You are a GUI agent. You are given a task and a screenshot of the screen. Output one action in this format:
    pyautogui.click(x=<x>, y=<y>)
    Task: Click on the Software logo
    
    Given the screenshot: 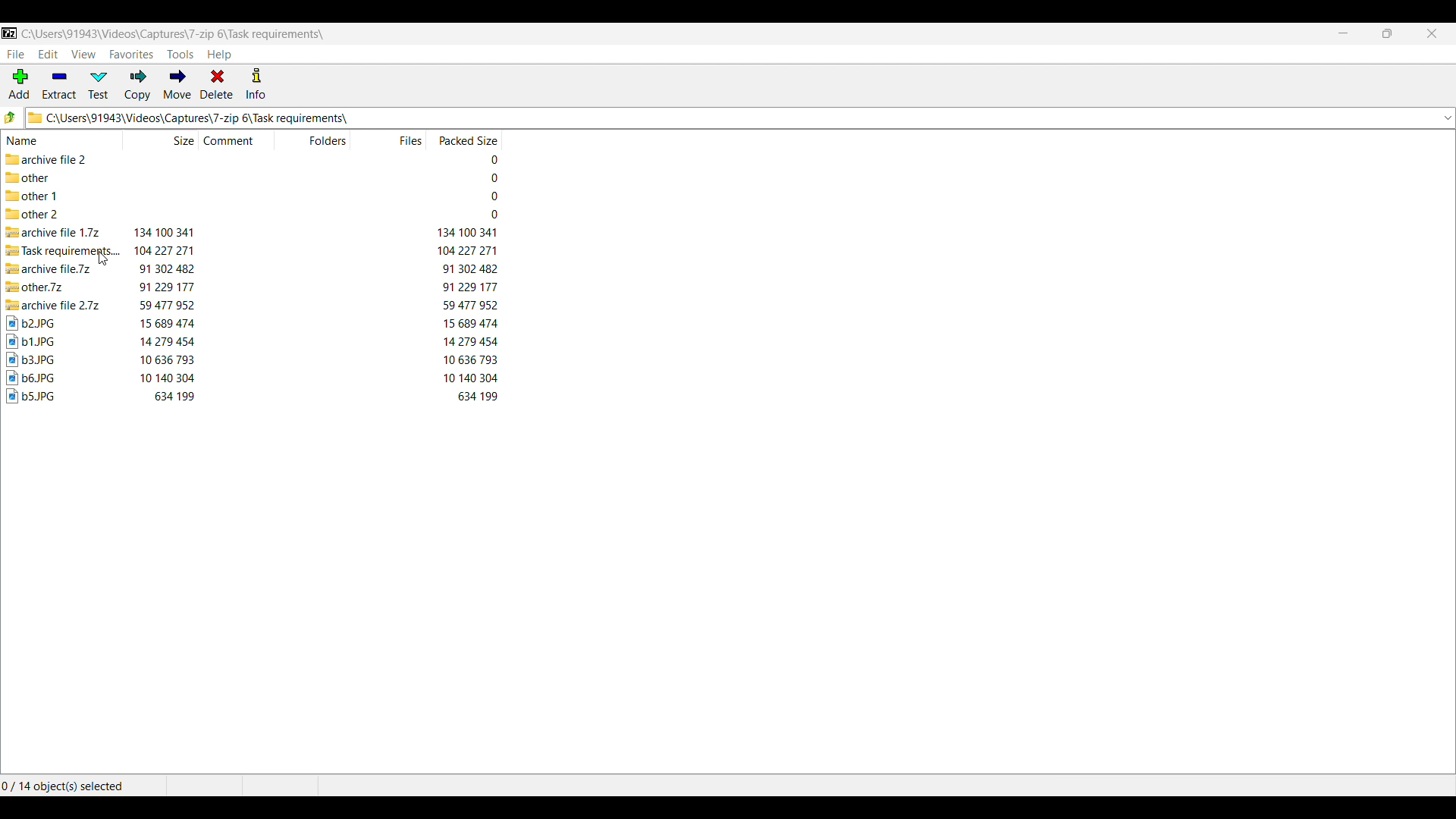 What is the action you would take?
    pyautogui.click(x=10, y=33)
    